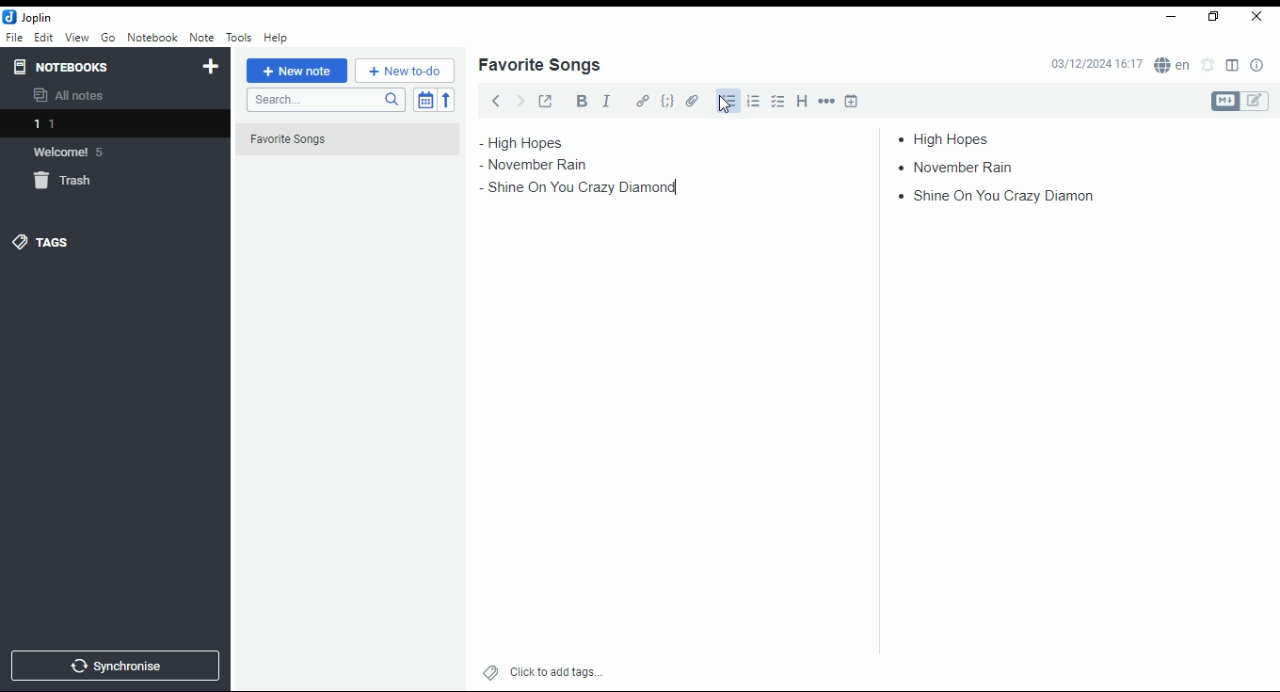  What do you see at coordinates (337, 140) in the screenshot?
I see `Favorite Songs` at bounding box center [337, 140].